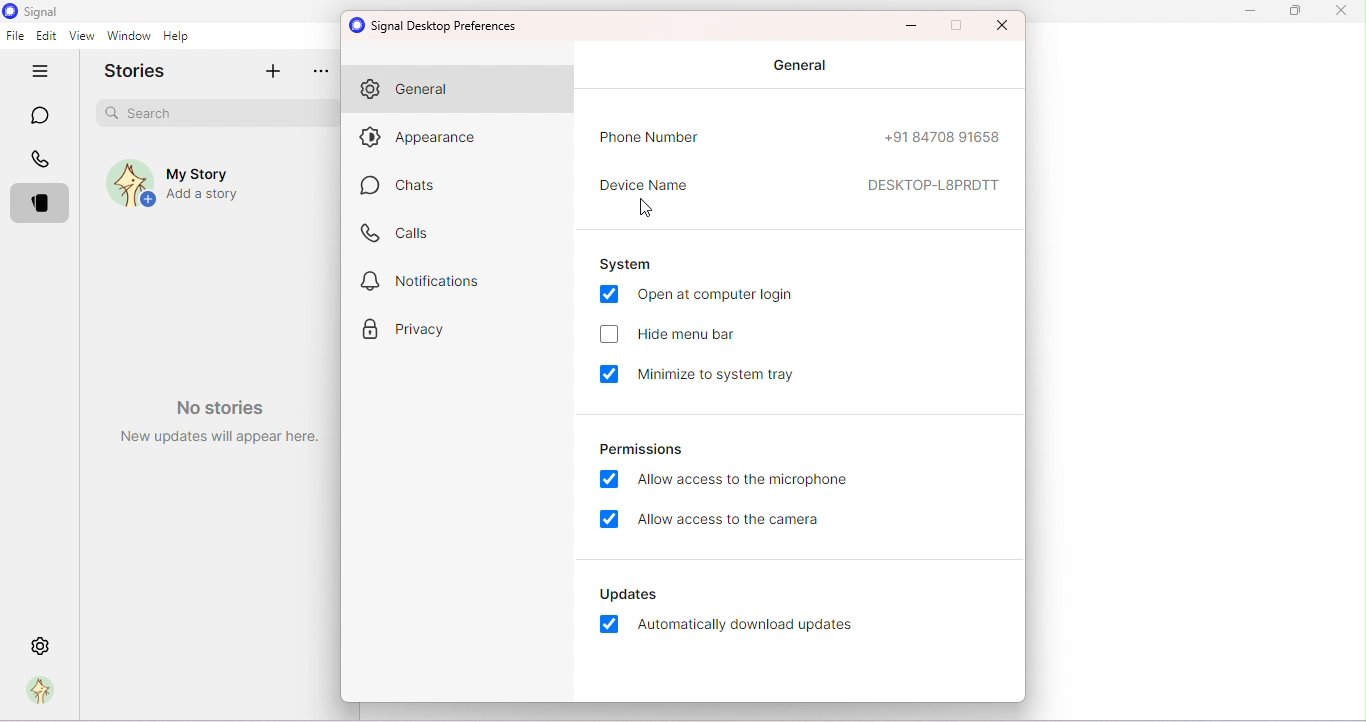  Describe the element at coordinates (396, 188) in the screenshot. I see `Chats` at that location.